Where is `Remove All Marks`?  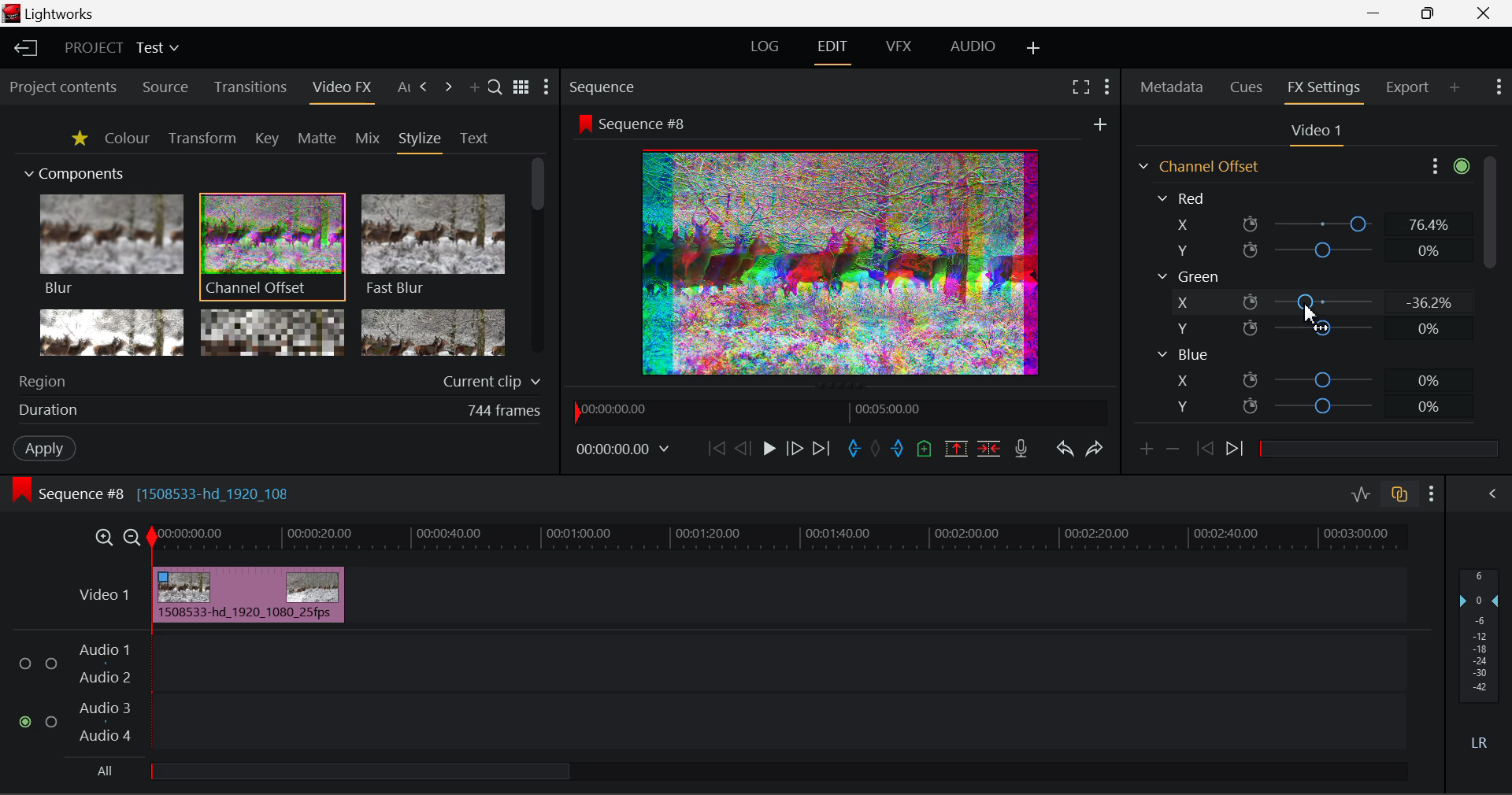 Remove All Marks is located at coordinates (875, 449).